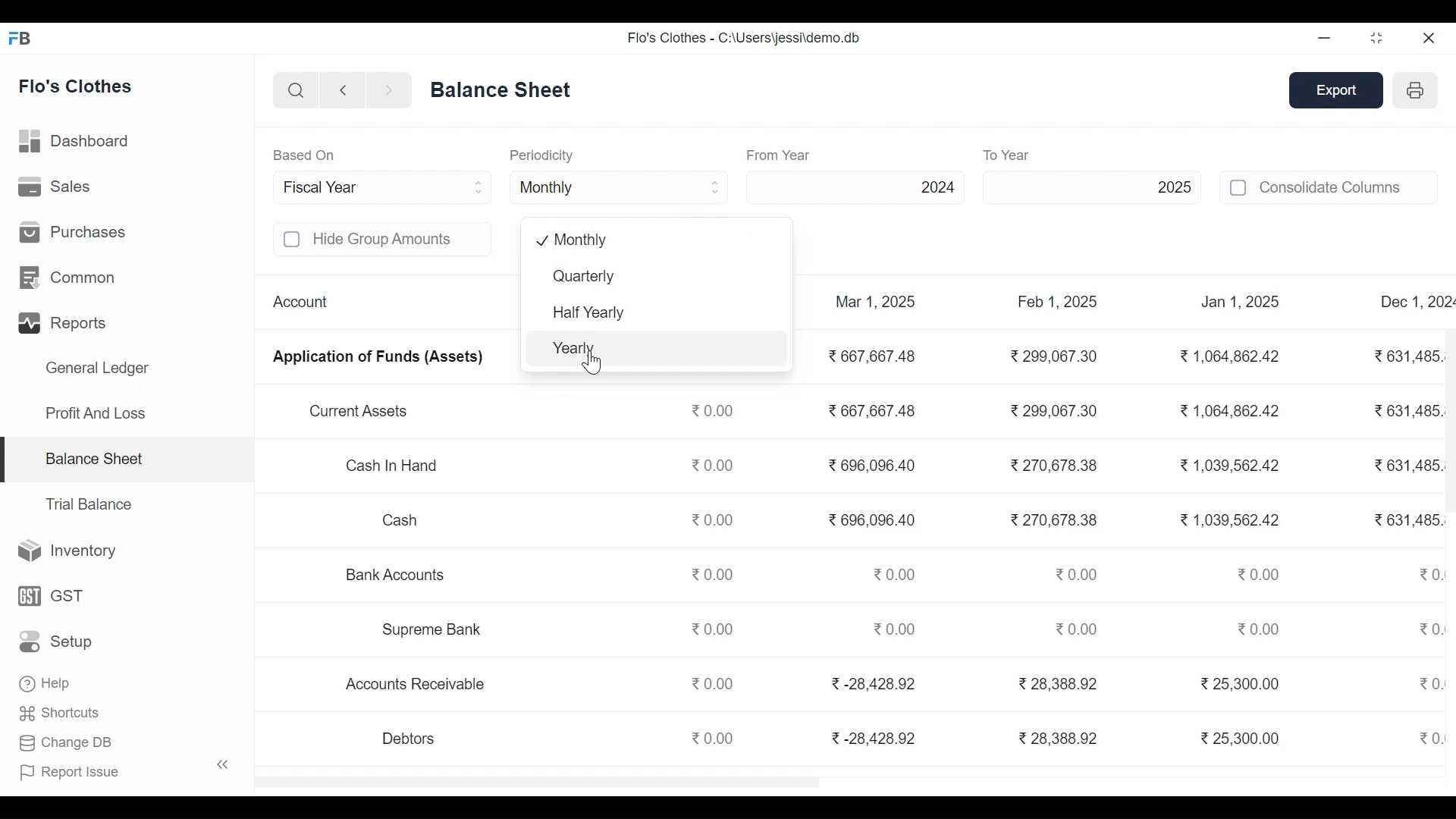 Image resolution: width=1456 pixels, height=819 pixels. I want to click on Trial Balance, so click(89, 504).